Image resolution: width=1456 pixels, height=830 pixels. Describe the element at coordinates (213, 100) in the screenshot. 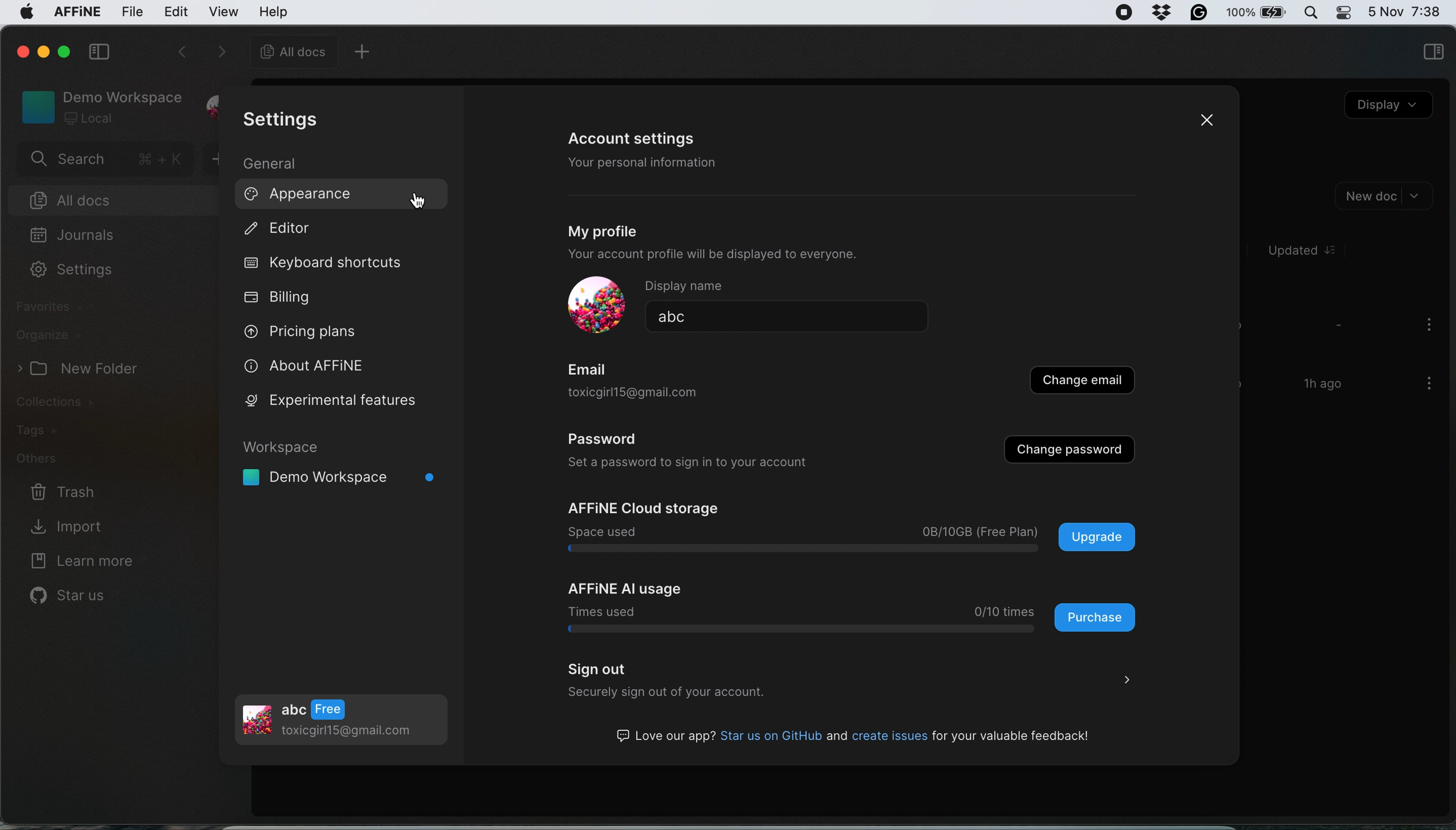

I see `profile` at that location.